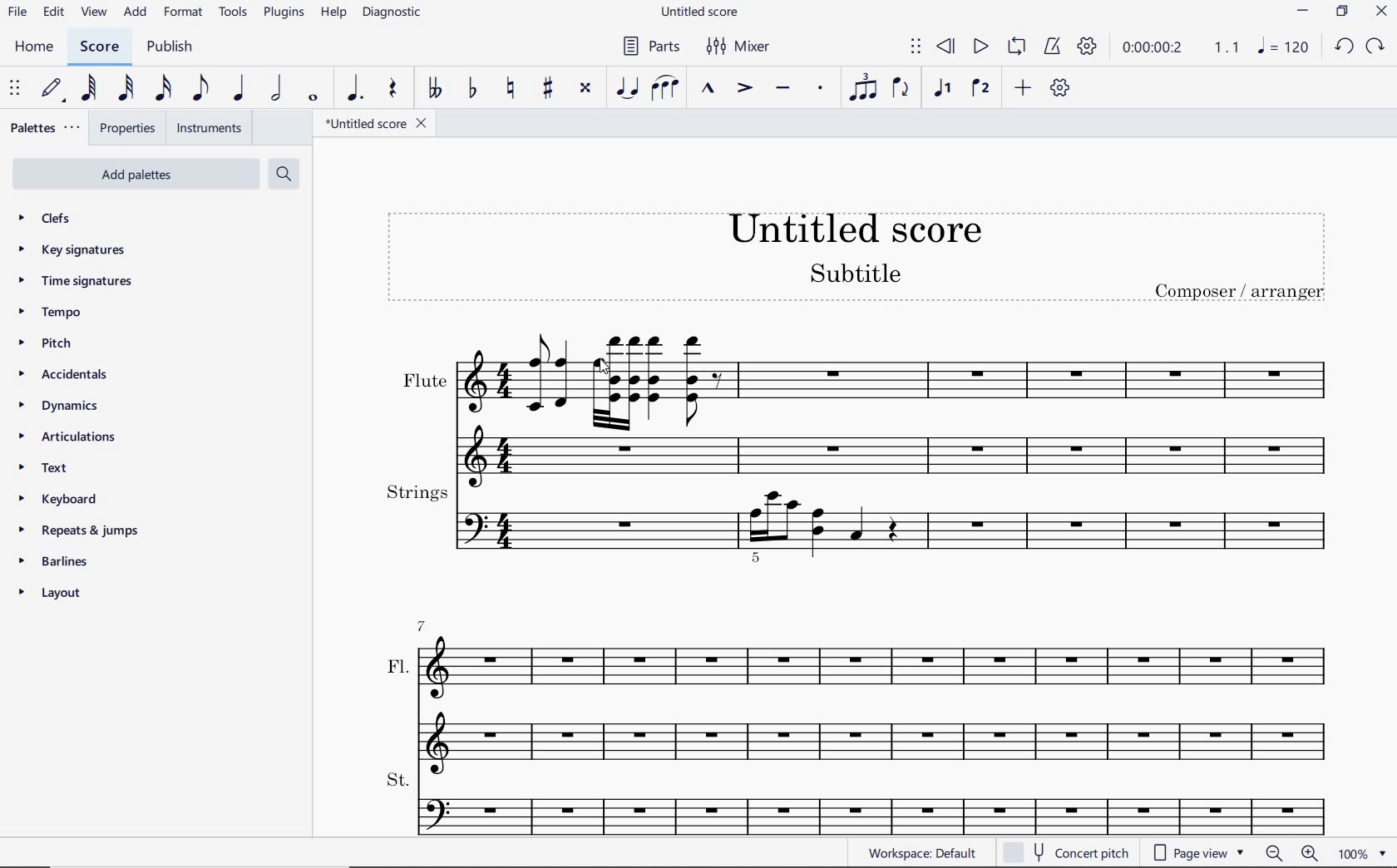  I want to click on EIGHTH NOTE, so click(200, 89).